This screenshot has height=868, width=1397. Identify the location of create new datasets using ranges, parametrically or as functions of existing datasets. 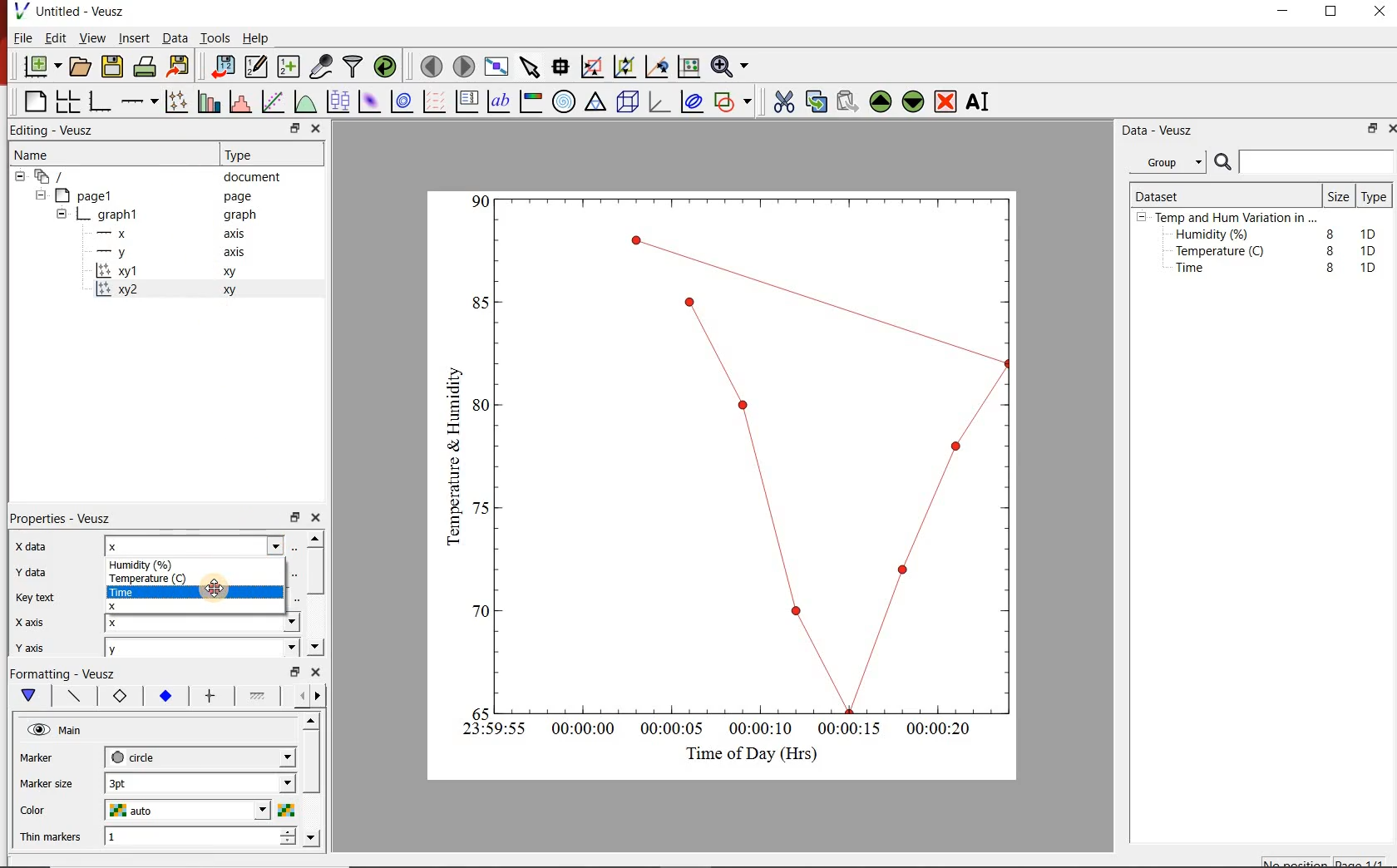
(289, 67).